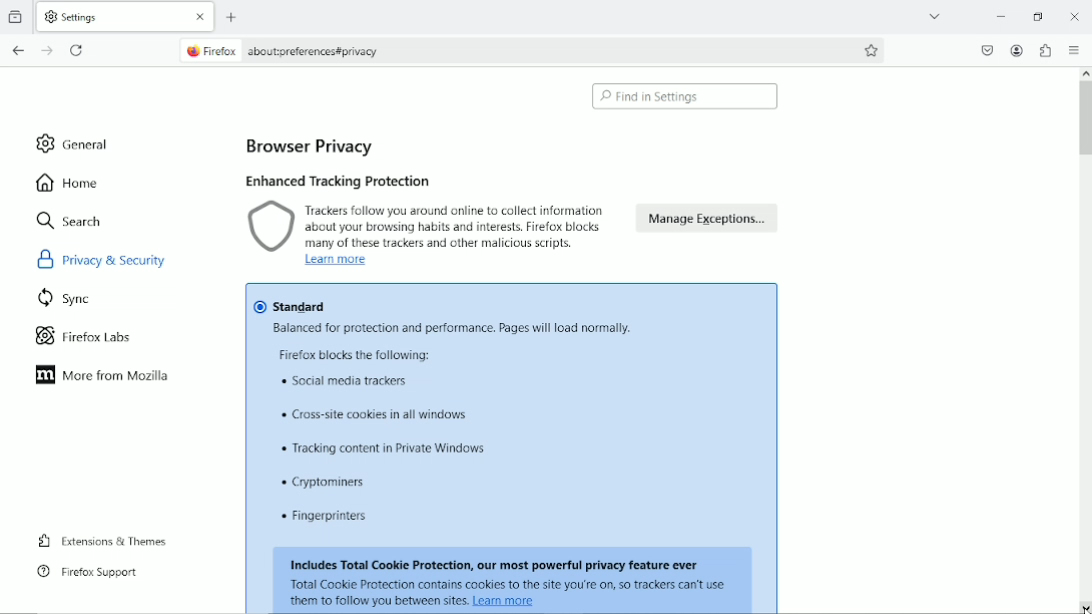  Describe the element at coordinates (84, 572) in the screenshot. I see `firefox support` at that location.